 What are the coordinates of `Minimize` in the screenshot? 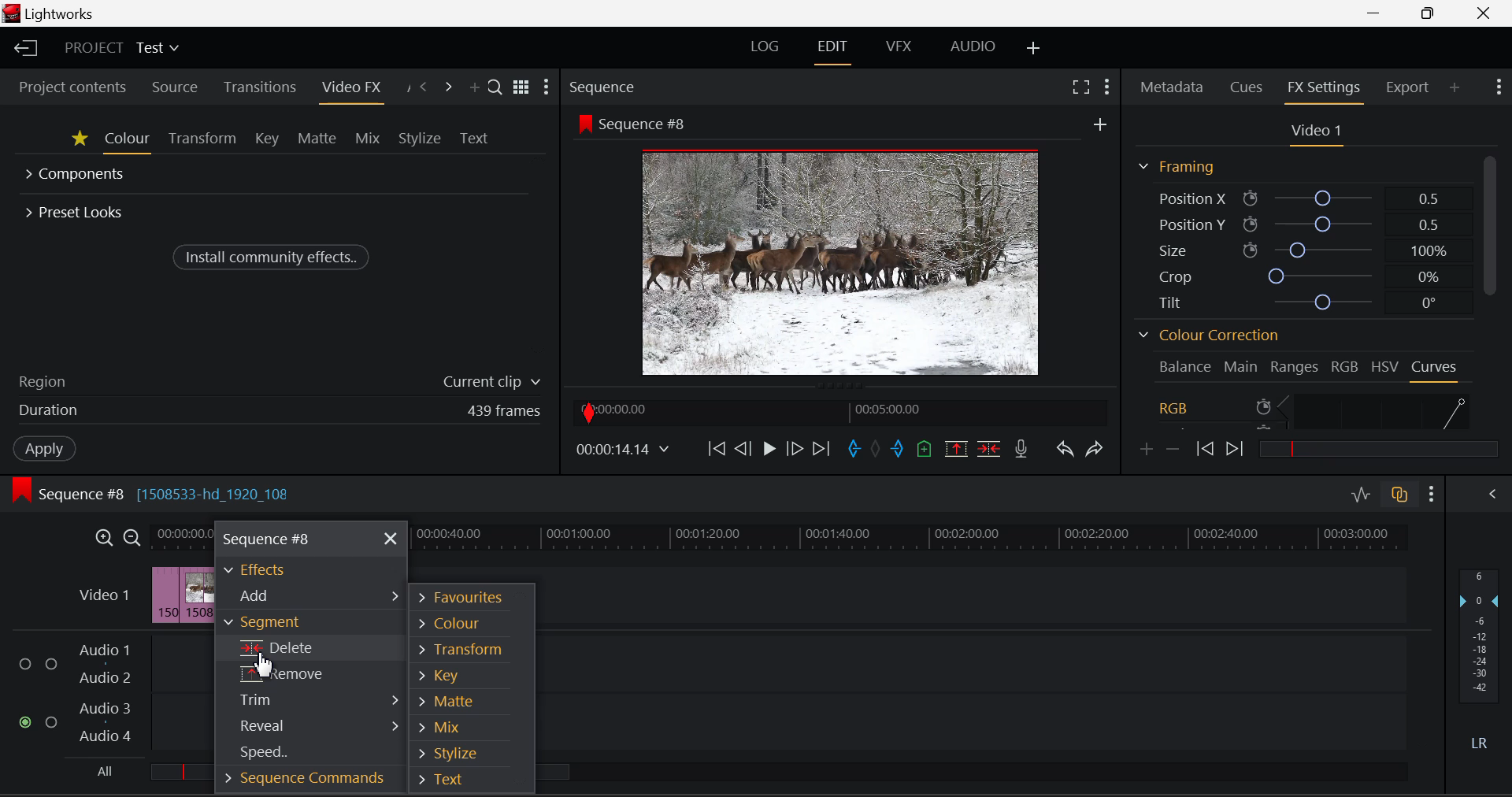 It's located at (1429, 13).